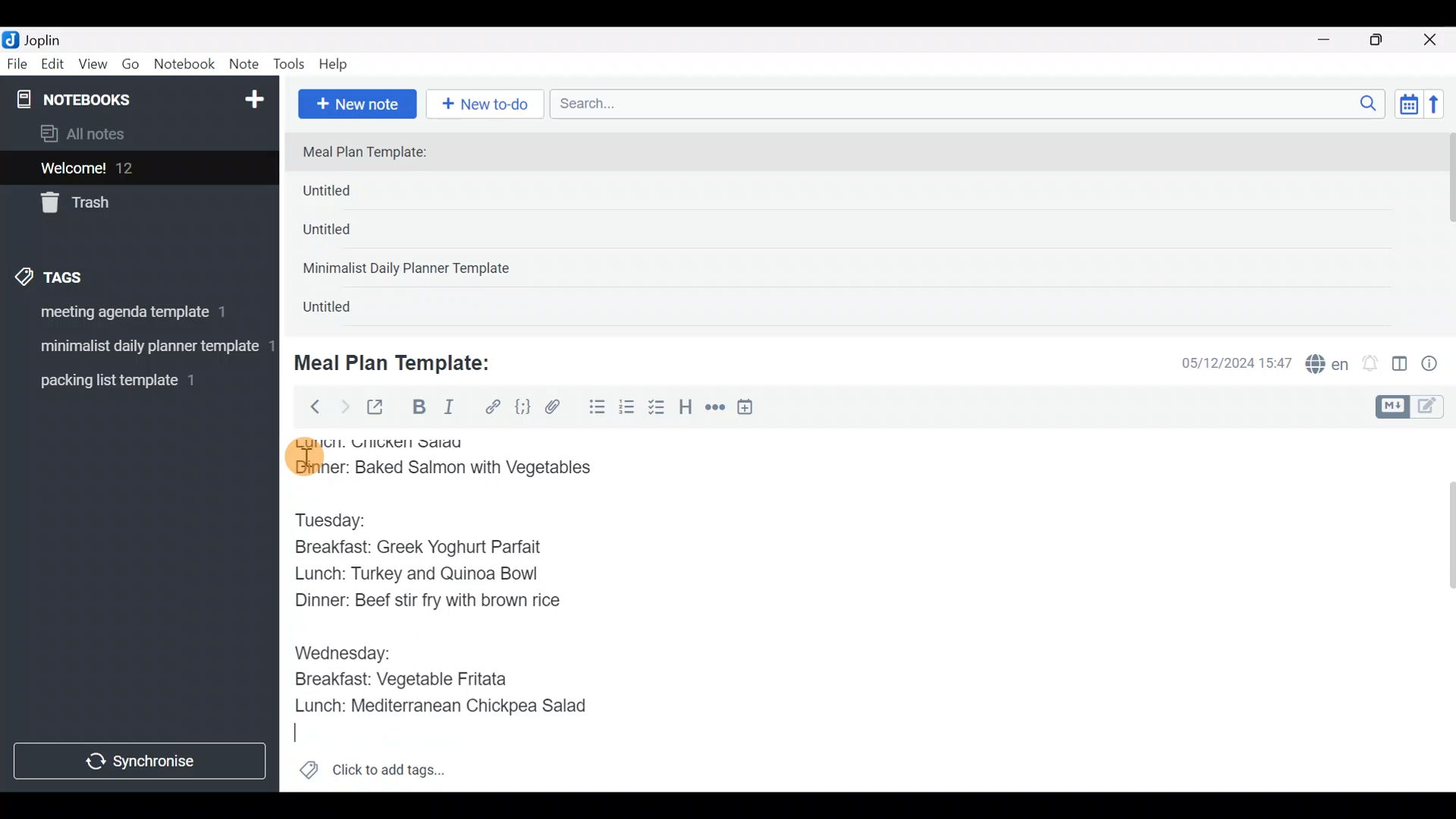  I want to click on View, so click(93, 67).